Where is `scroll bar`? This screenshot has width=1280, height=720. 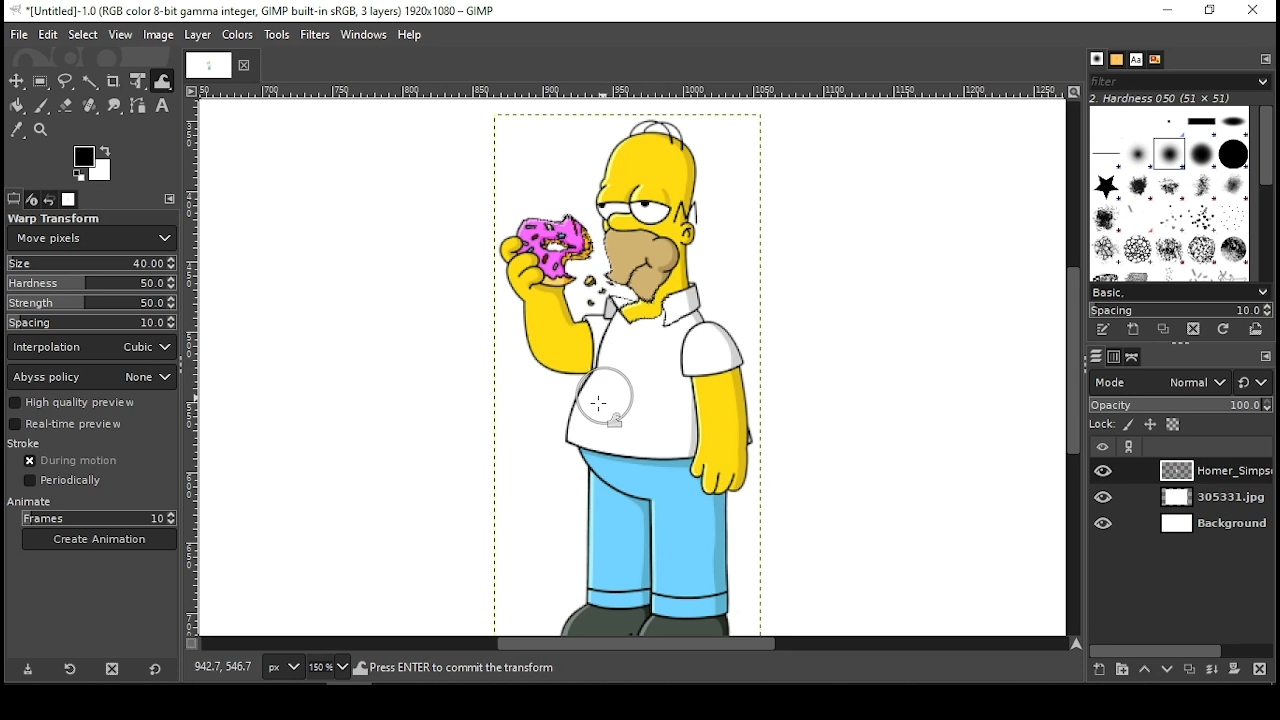 scroll bar is located at coordinates (1179, 651).